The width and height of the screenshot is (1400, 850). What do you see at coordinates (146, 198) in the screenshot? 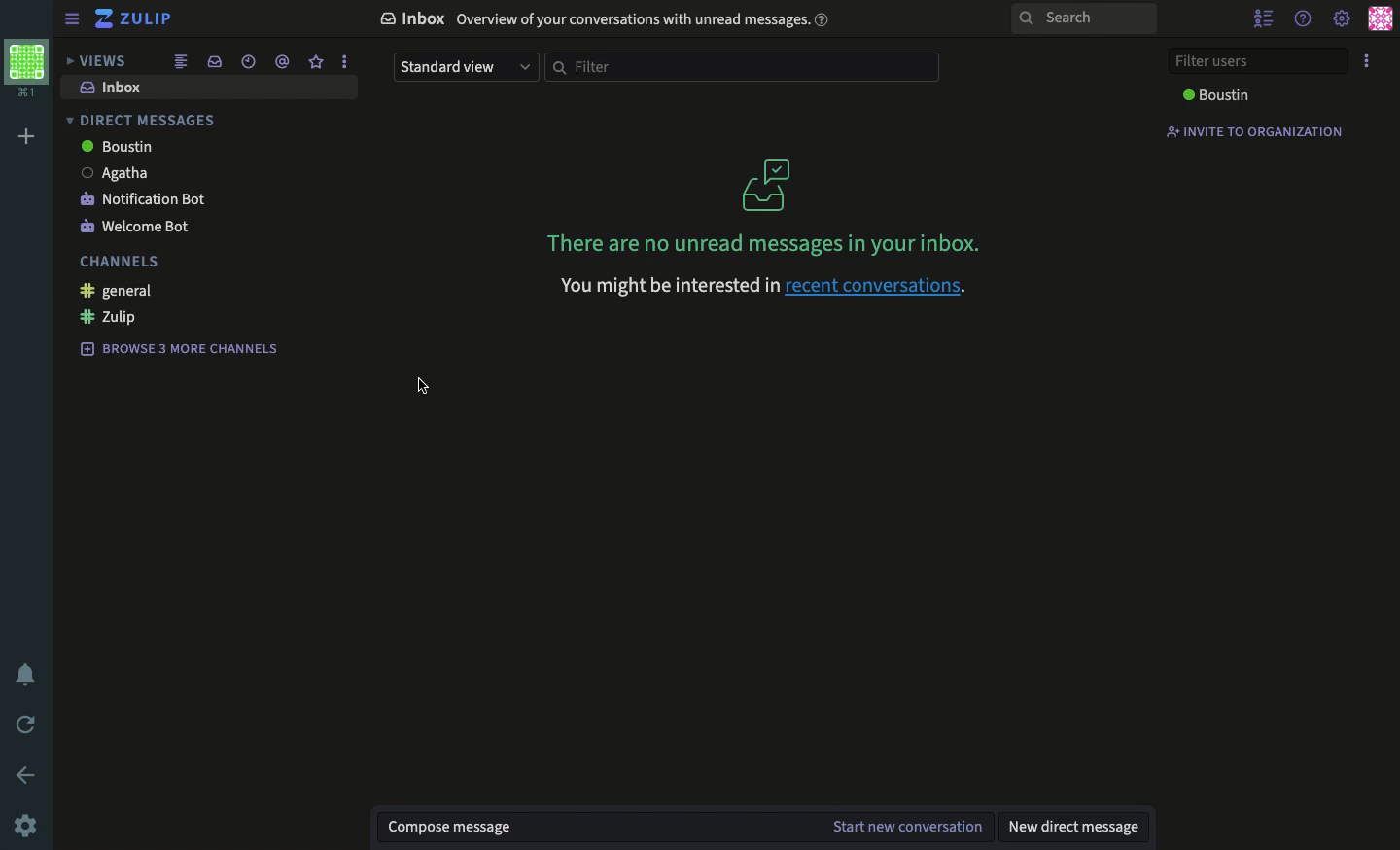
I see `notification bot` at bounding box center [146, 198].